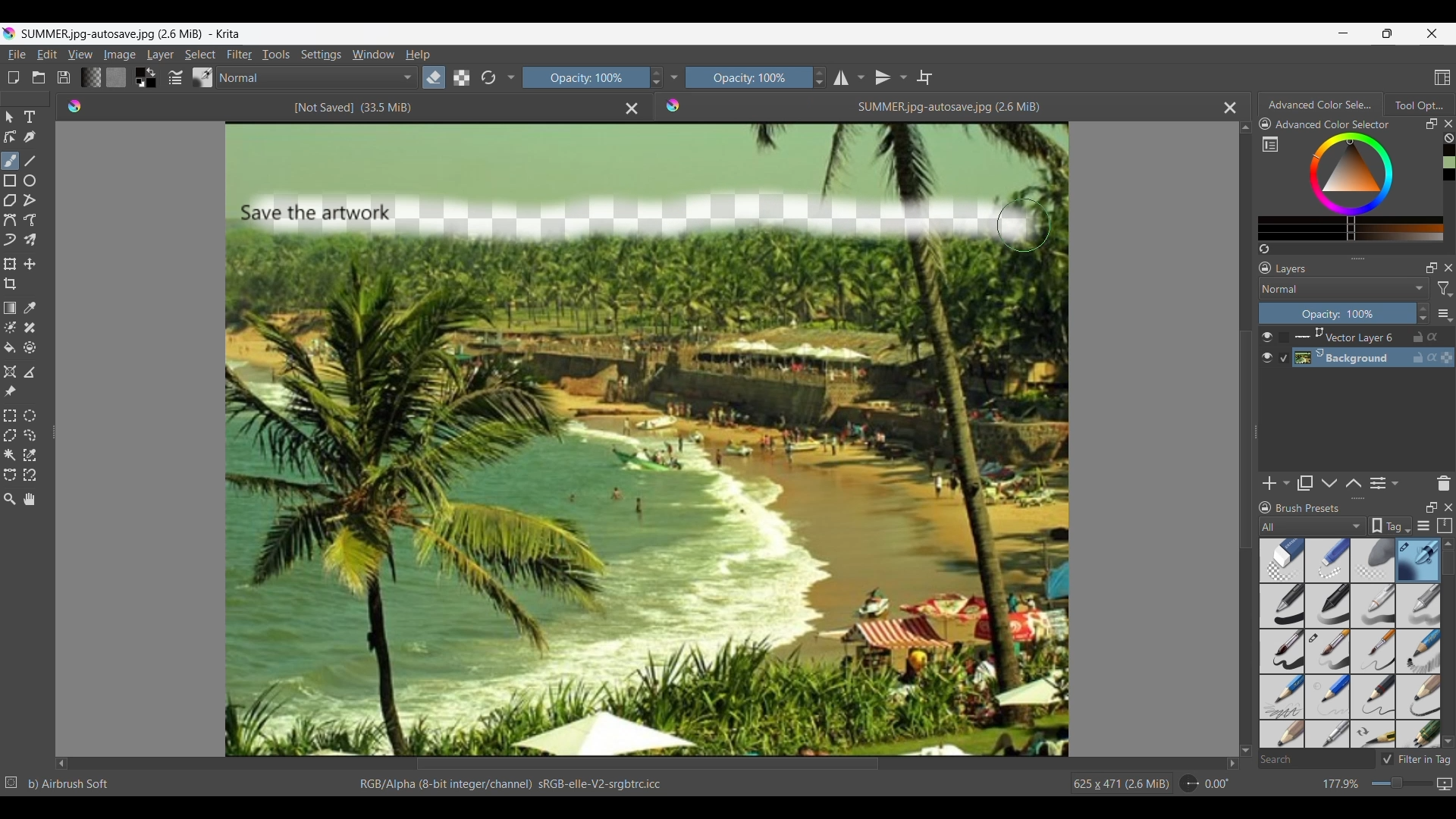 Image resolution: width=1456 pixels, height=819 pixels. I want to click on Tool Options, so click(1420, 105).